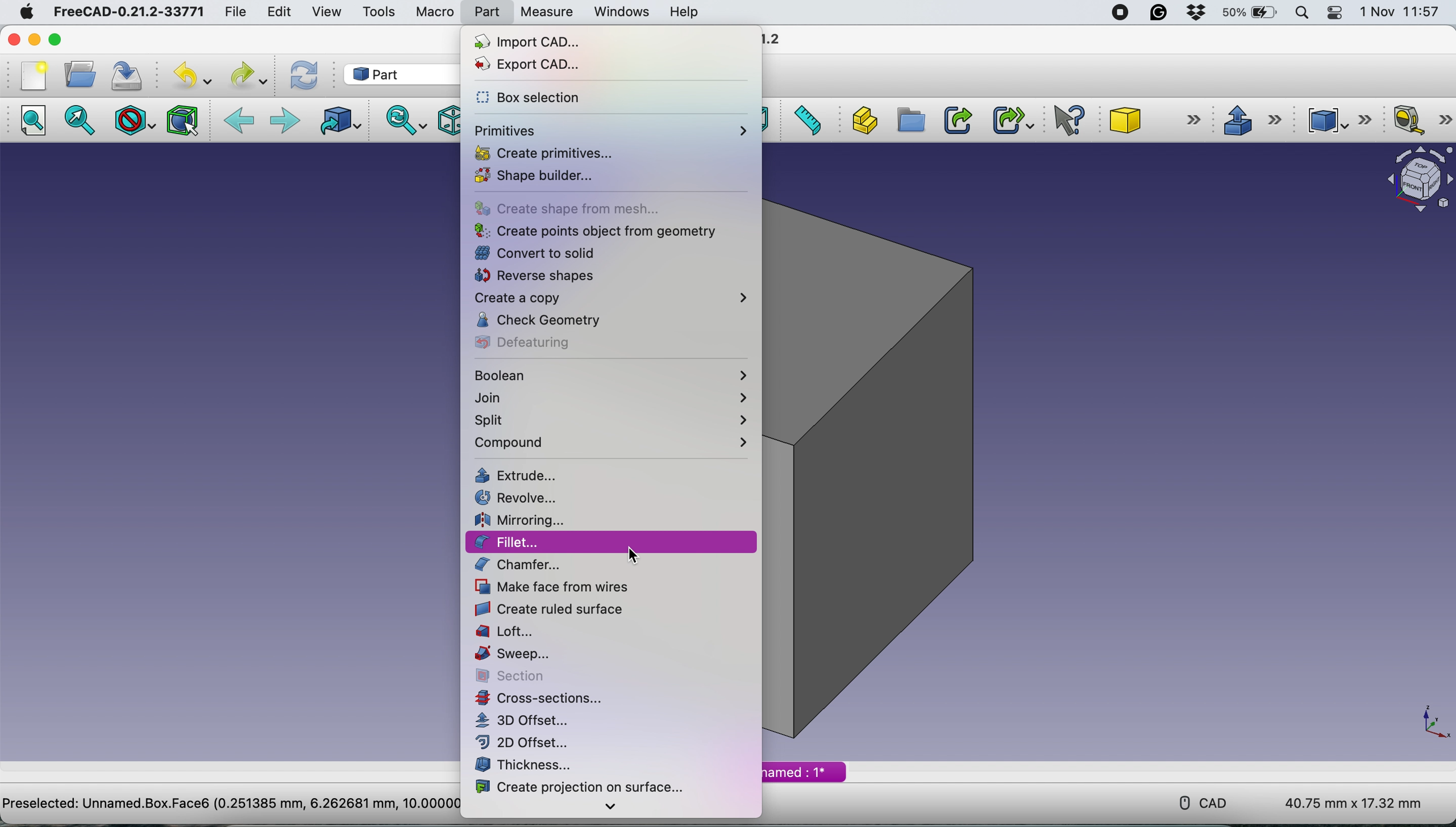 The width and height of the screenshot is (1456, 827). Describe the element at coordinates (1421, 119) in the screenshot. I see `mesure linear` at that location.